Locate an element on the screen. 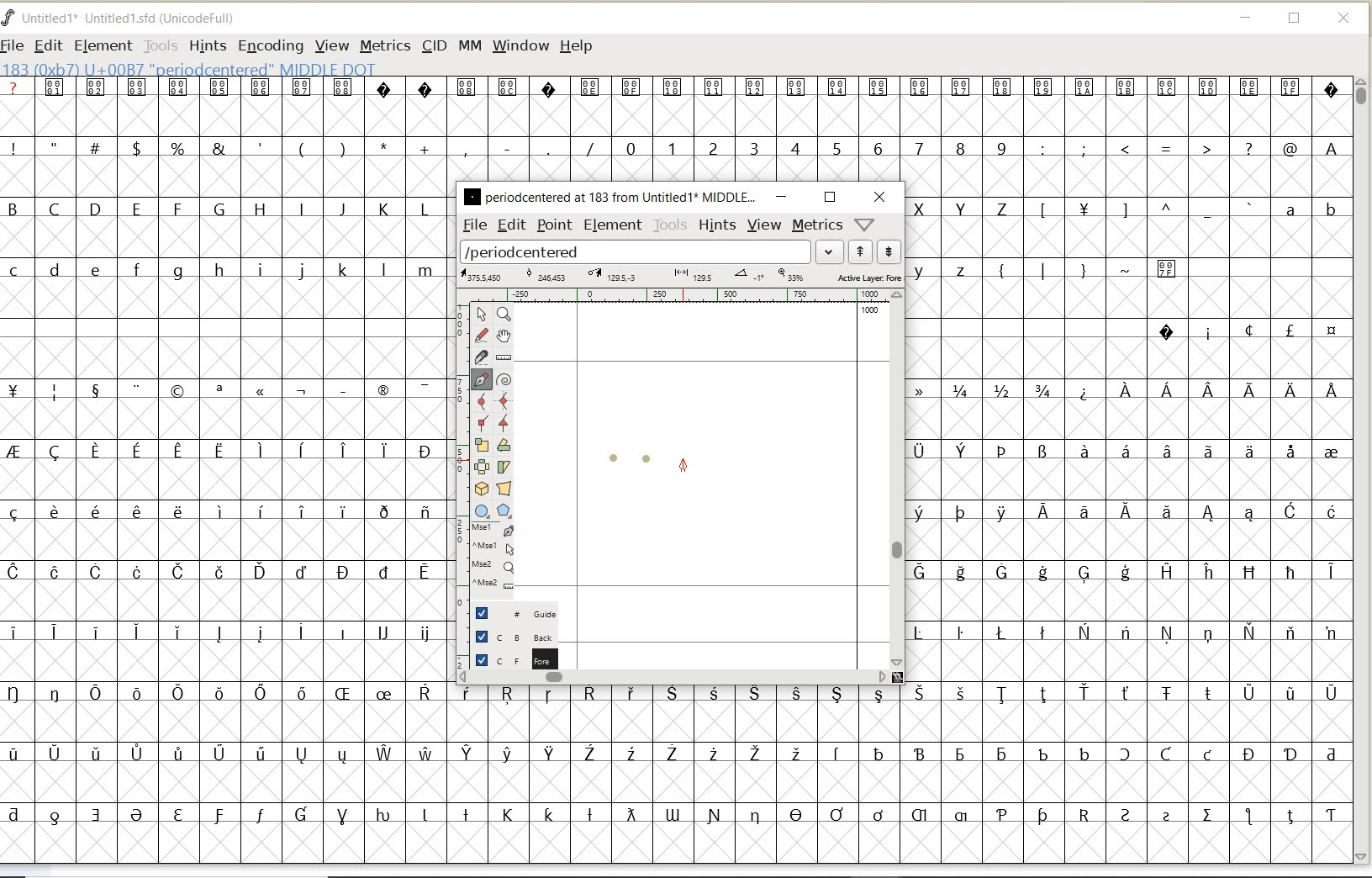 This screenshot has width=1372, height=878. flip the selection is located at coordinates (483, 467).